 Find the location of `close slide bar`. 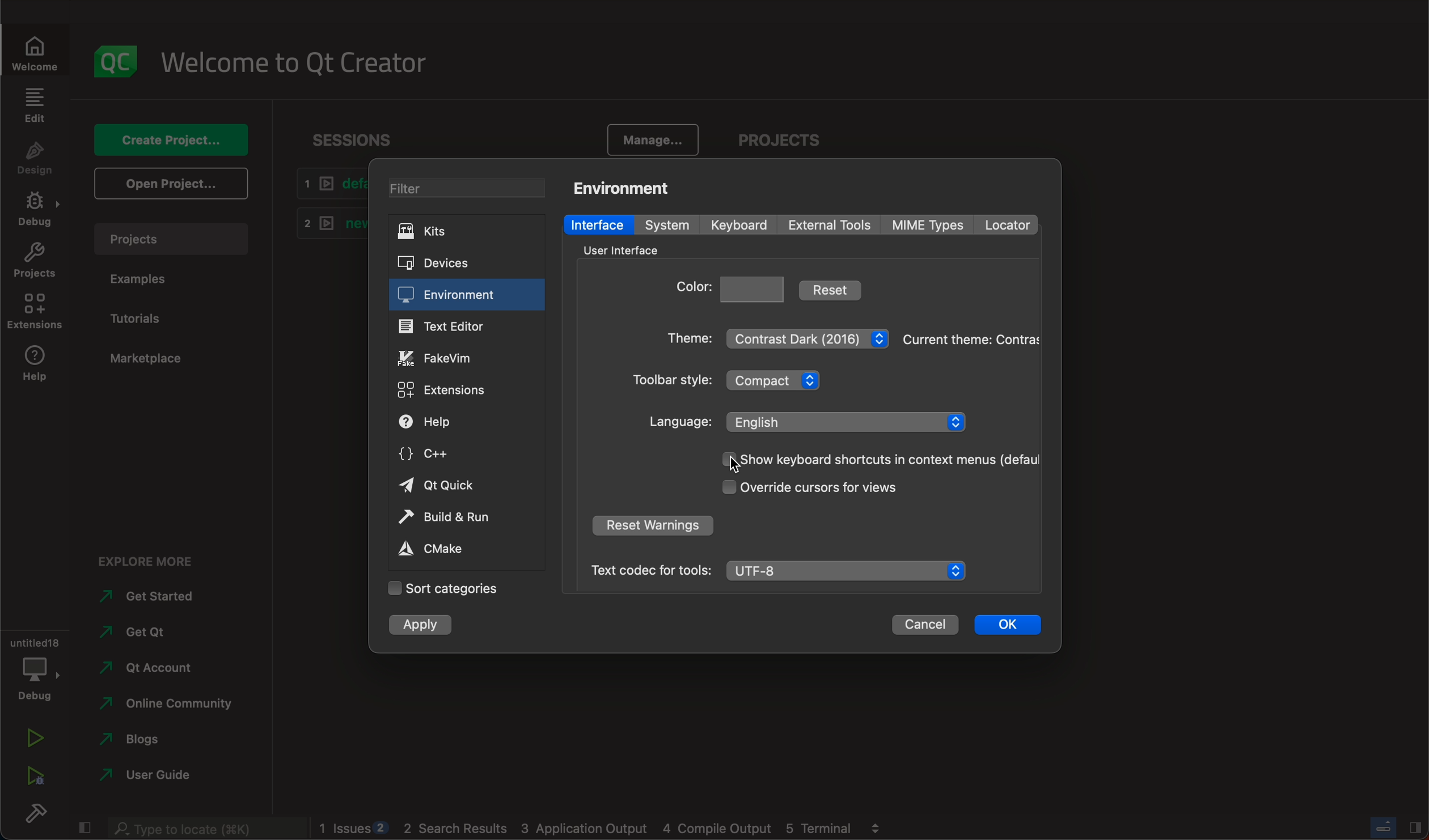

close slide bar is located at coordinates (84, 829).